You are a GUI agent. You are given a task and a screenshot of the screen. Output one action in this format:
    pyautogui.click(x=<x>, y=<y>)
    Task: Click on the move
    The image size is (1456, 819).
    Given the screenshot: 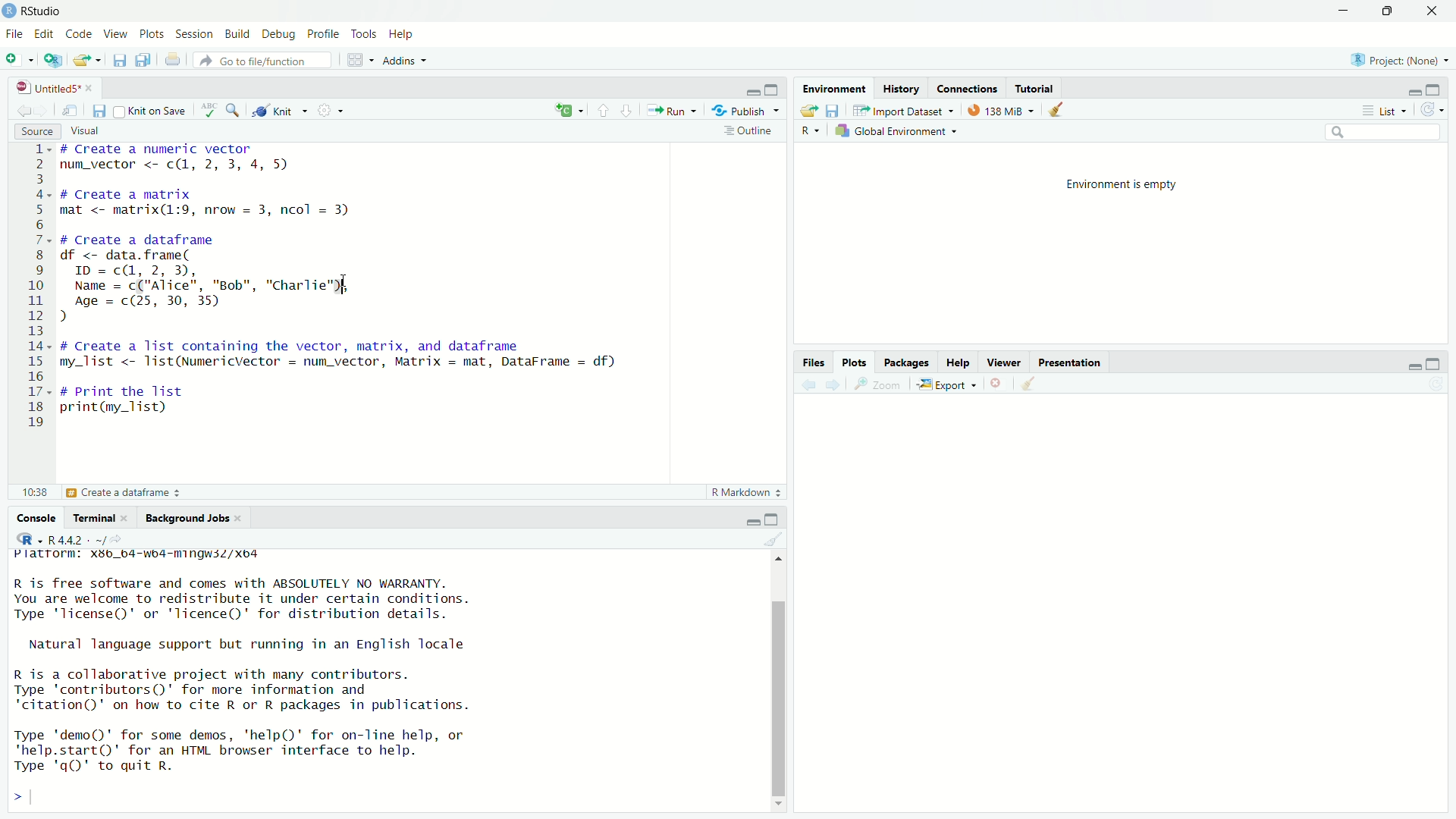 What is the action you would take?
    pyautogui.click(x=73, y=113)
    